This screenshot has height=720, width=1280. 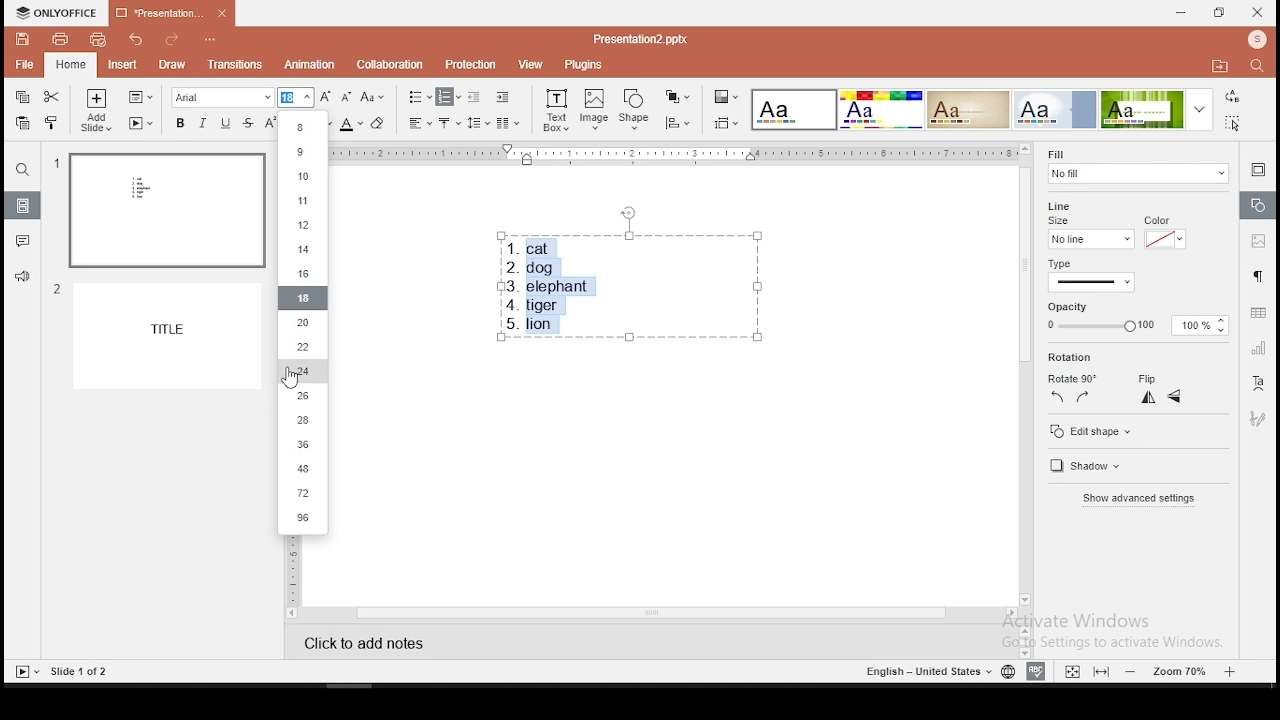 What do you see at coordinates (300, 515) in the screenshot?
I see `96` at bounding box center [300, 515].